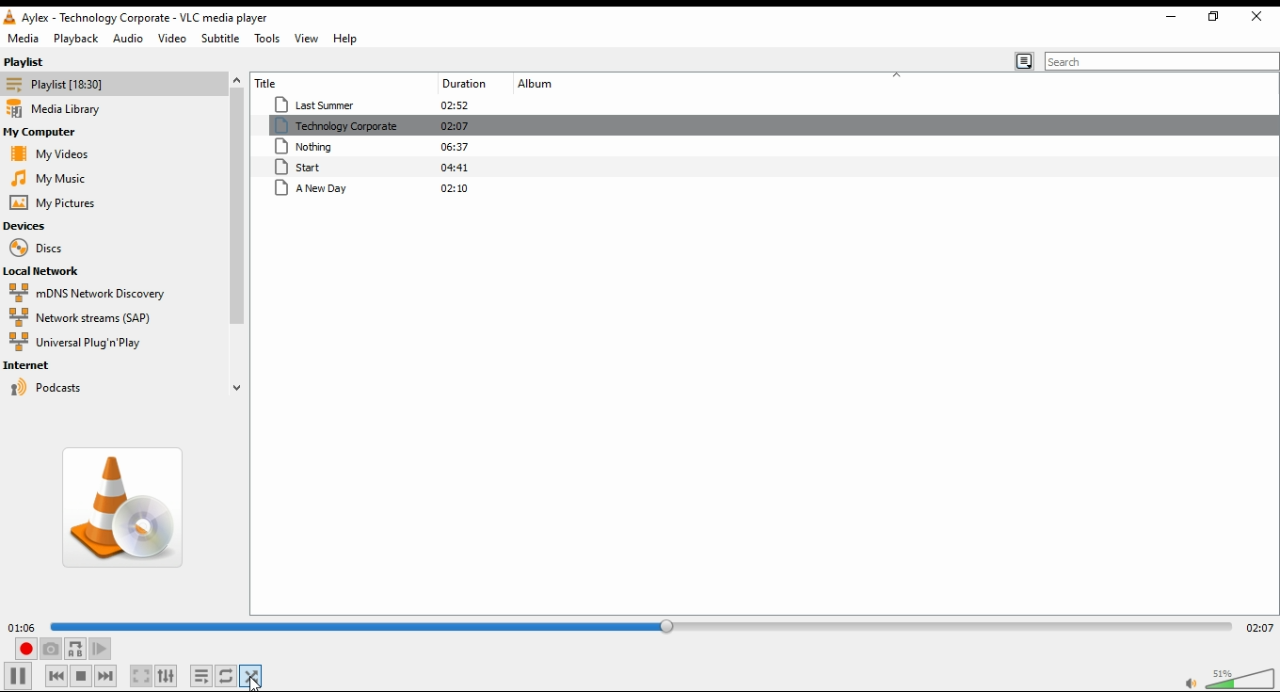 The height and width of the screenshot is (692, 1280). What do you see at coordinates (30, 364) in the screenshot?
I see `internet` at bounding box center [30, 364].